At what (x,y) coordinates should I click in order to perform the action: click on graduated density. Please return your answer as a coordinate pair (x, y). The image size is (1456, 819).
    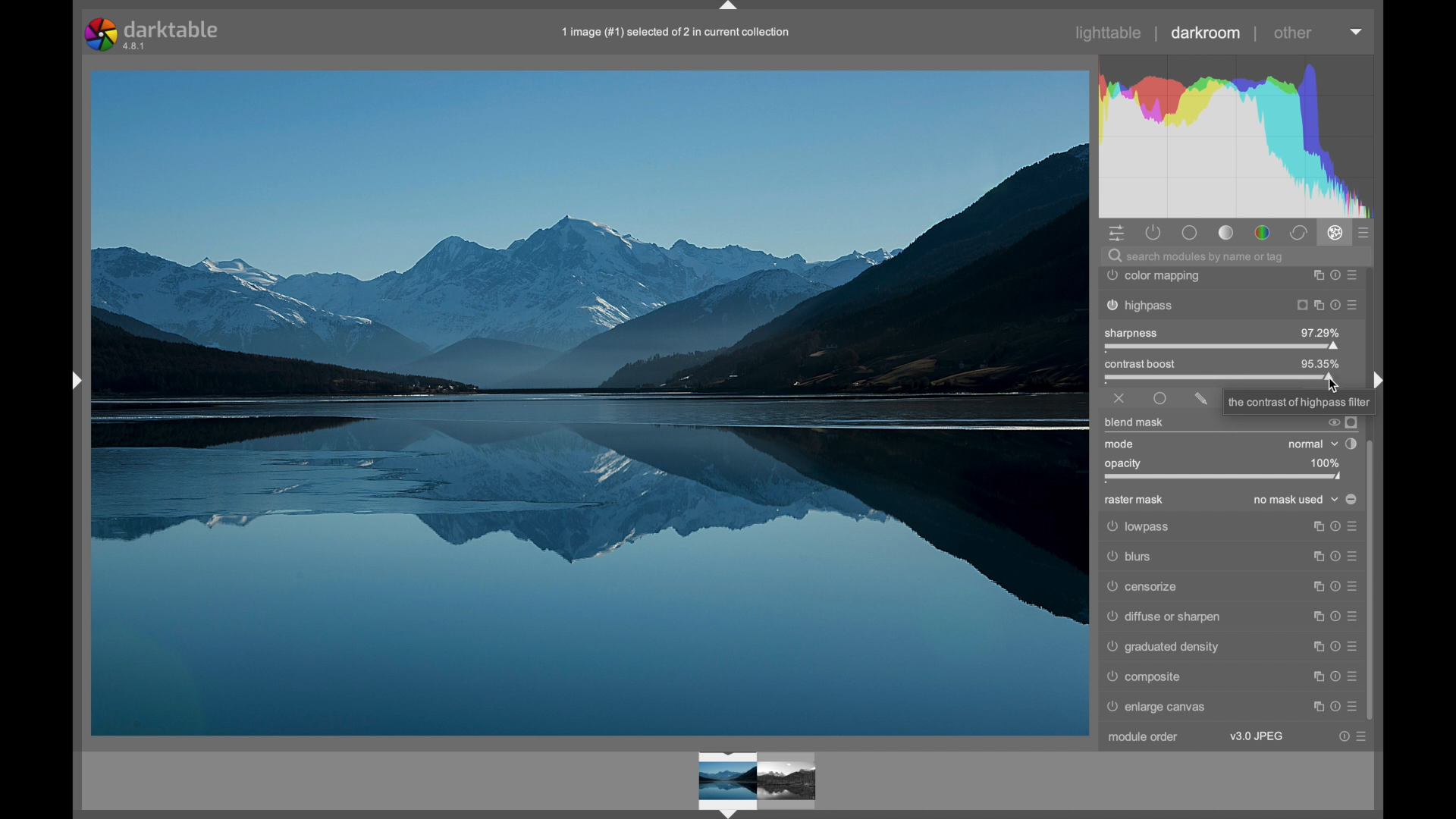
    Looking at the image, I should click on (1163, 647).